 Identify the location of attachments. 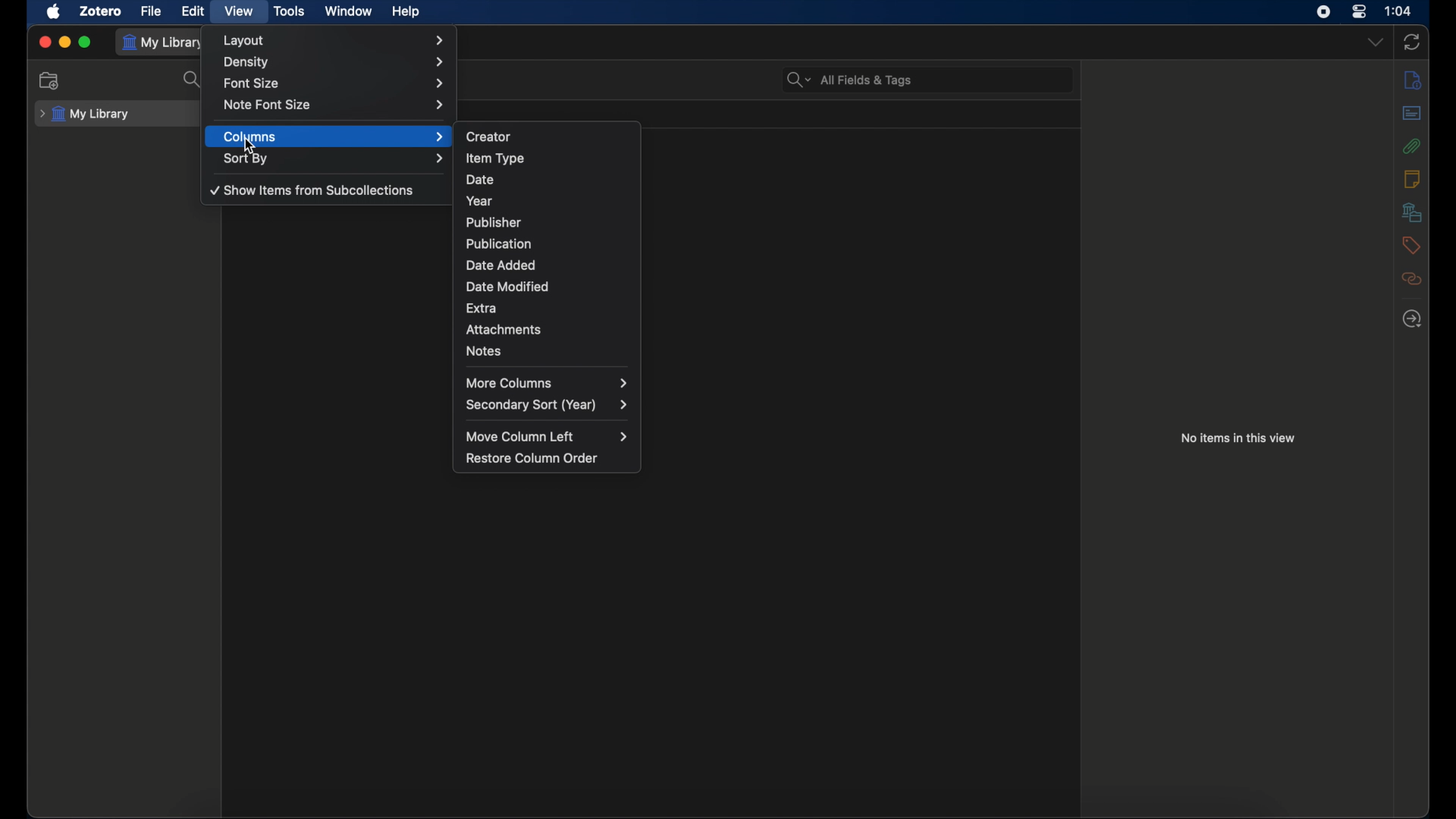
(504, 330).